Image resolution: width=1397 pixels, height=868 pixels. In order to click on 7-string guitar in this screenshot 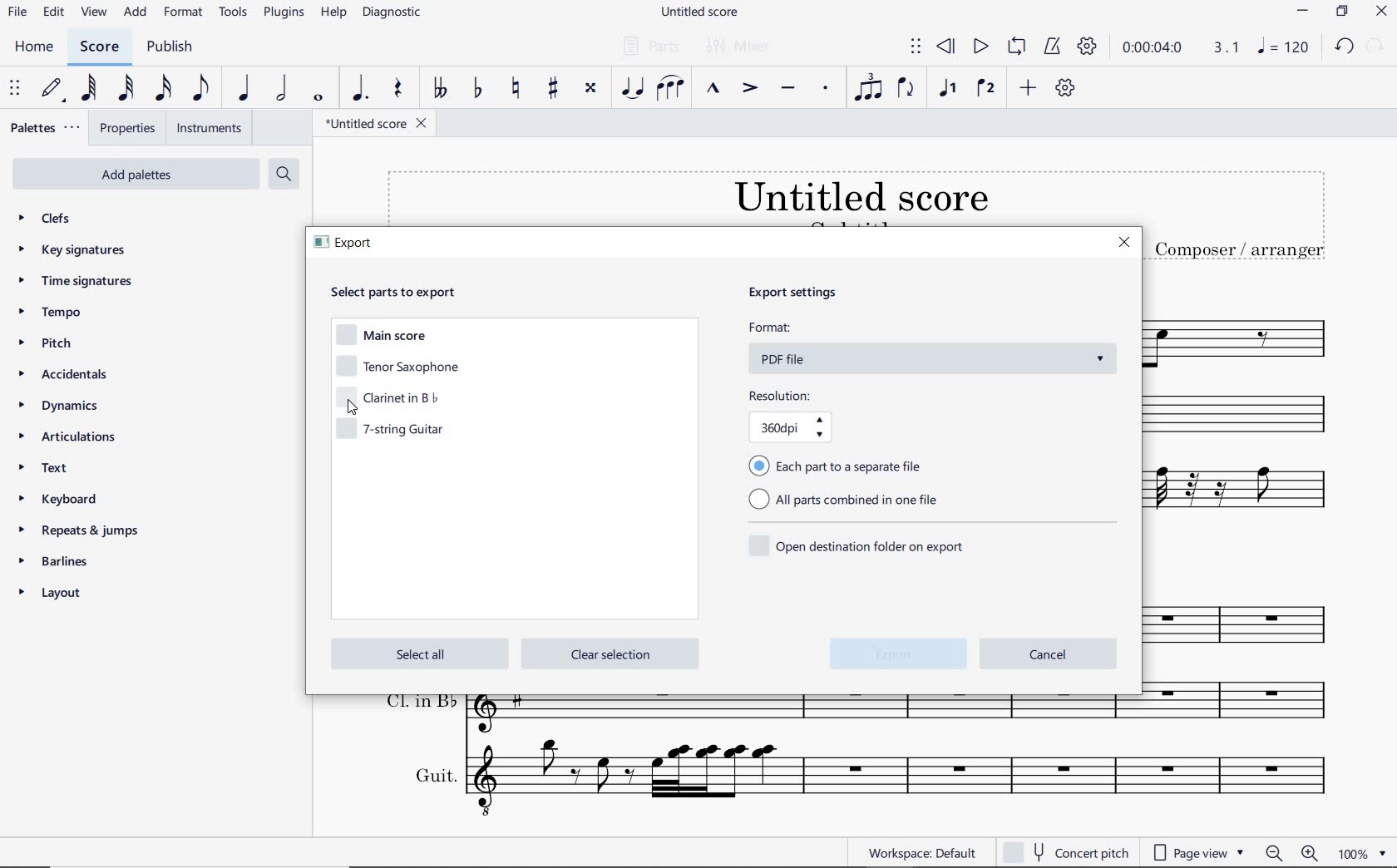, I will do `click(1248, 497)`.